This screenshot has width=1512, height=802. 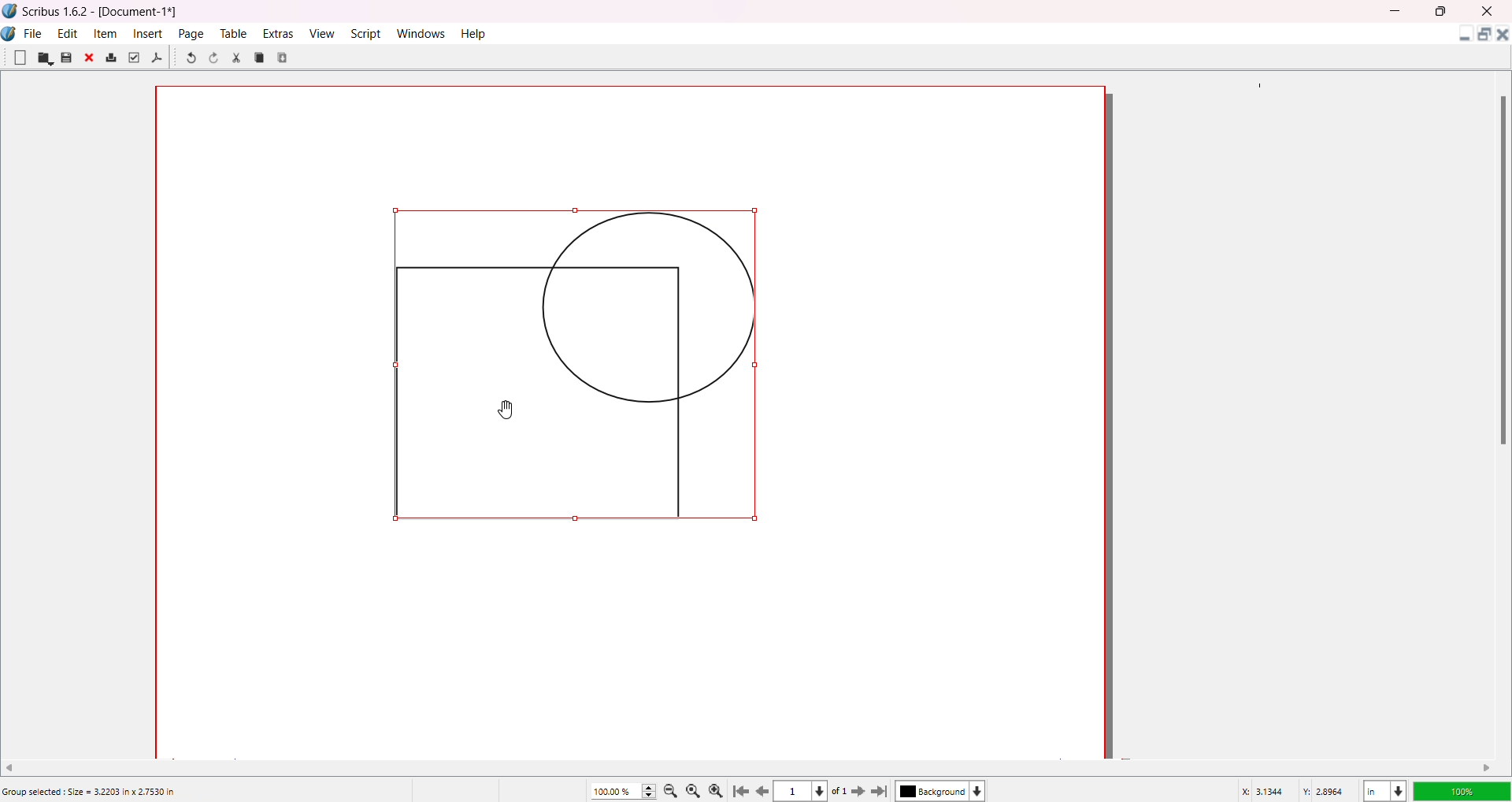 I want to click on Extras, so click(x=279, y=33).